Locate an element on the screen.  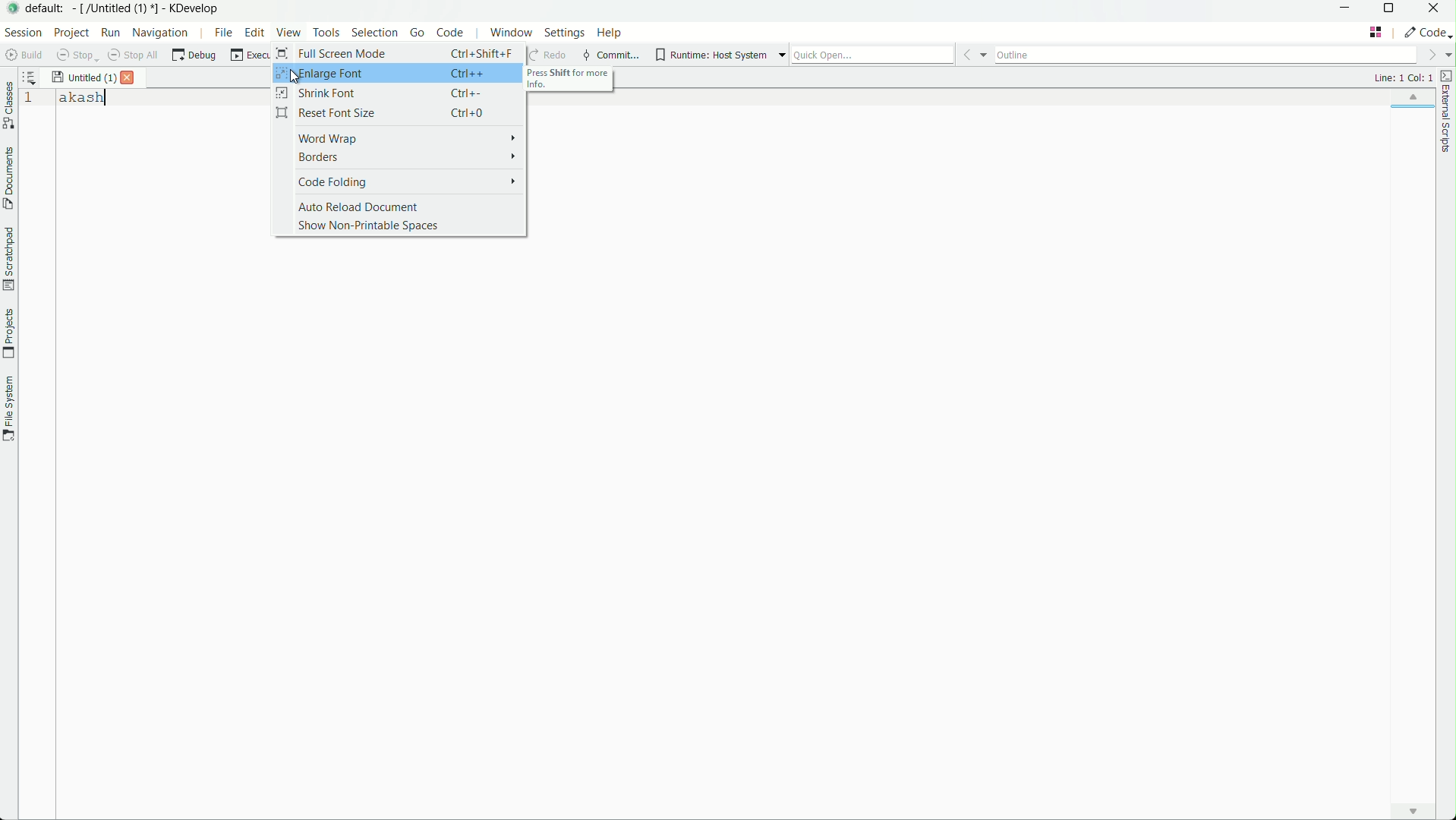
build is located at coordinates (23, 55).